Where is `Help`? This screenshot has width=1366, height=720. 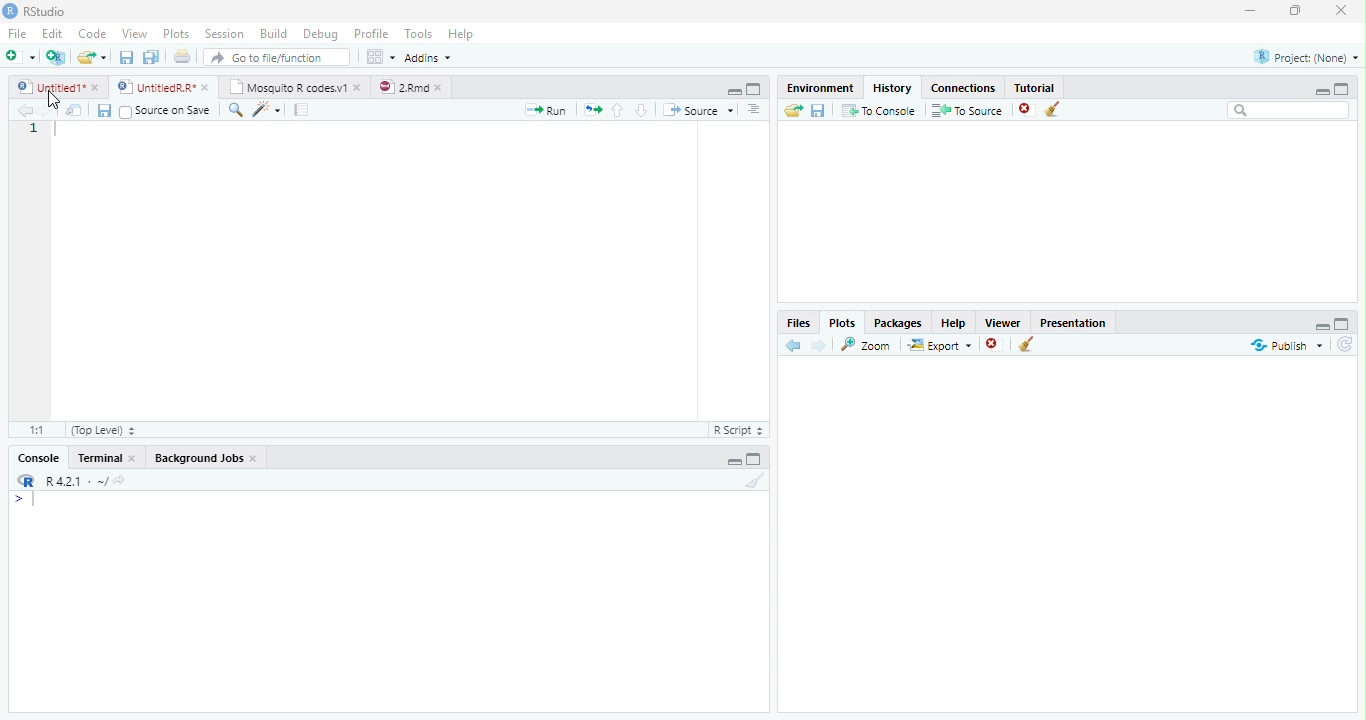 Help is located at coordinates (463, 33).